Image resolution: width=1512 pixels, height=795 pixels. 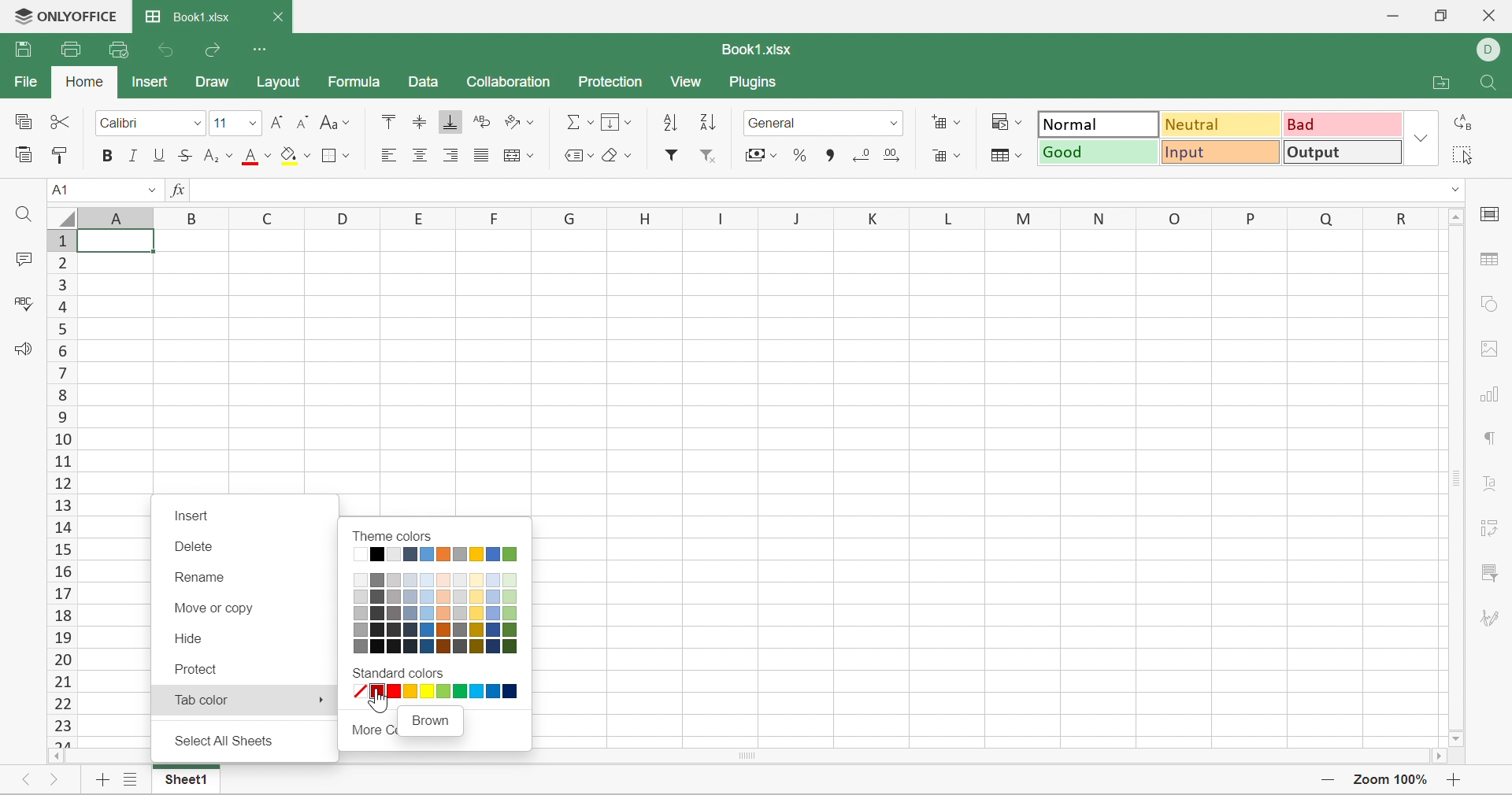 I want to click on Brown, so click(x=432, y=723).